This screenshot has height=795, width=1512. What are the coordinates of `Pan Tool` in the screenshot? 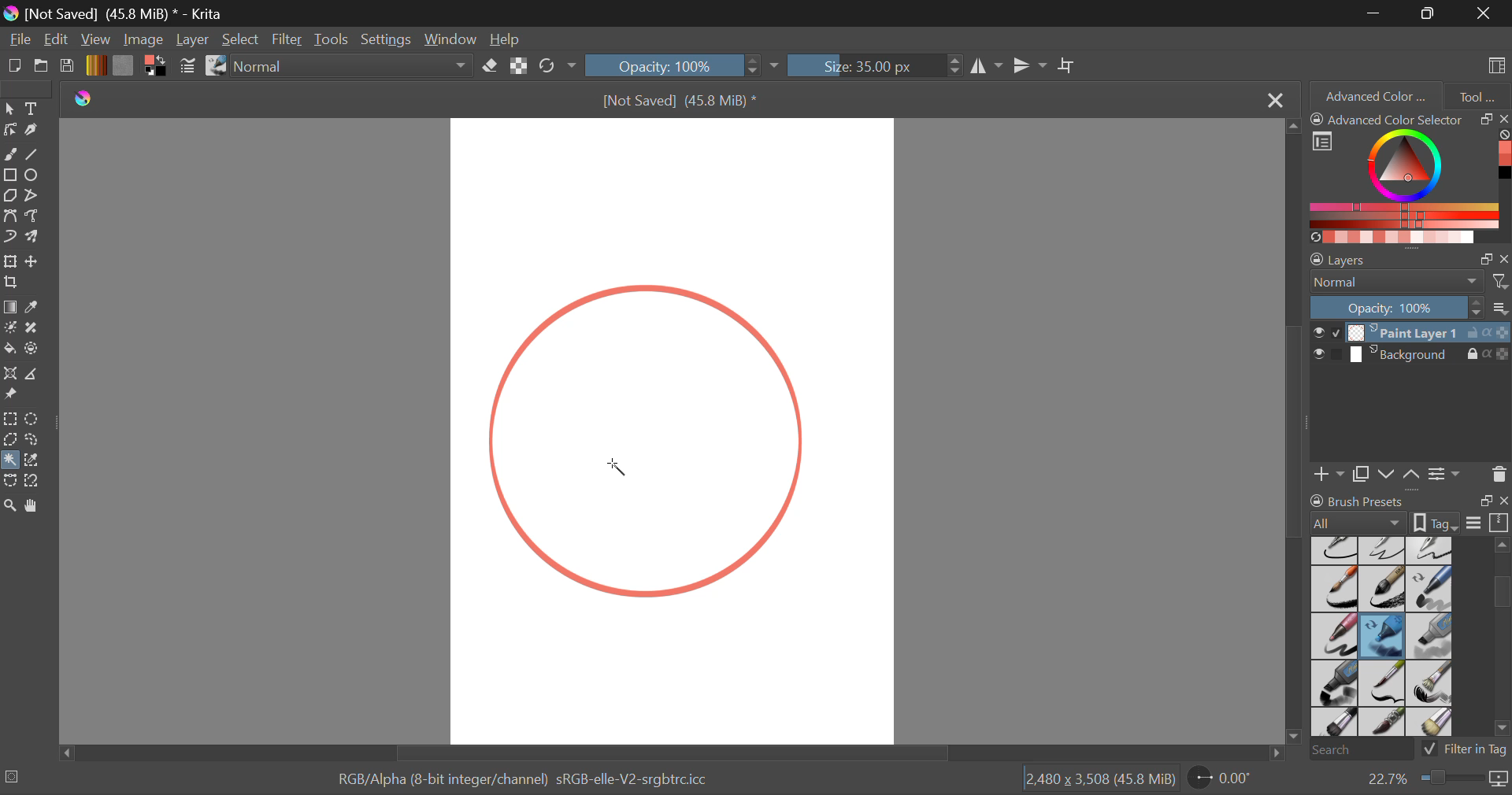 It's located at (35, 505).